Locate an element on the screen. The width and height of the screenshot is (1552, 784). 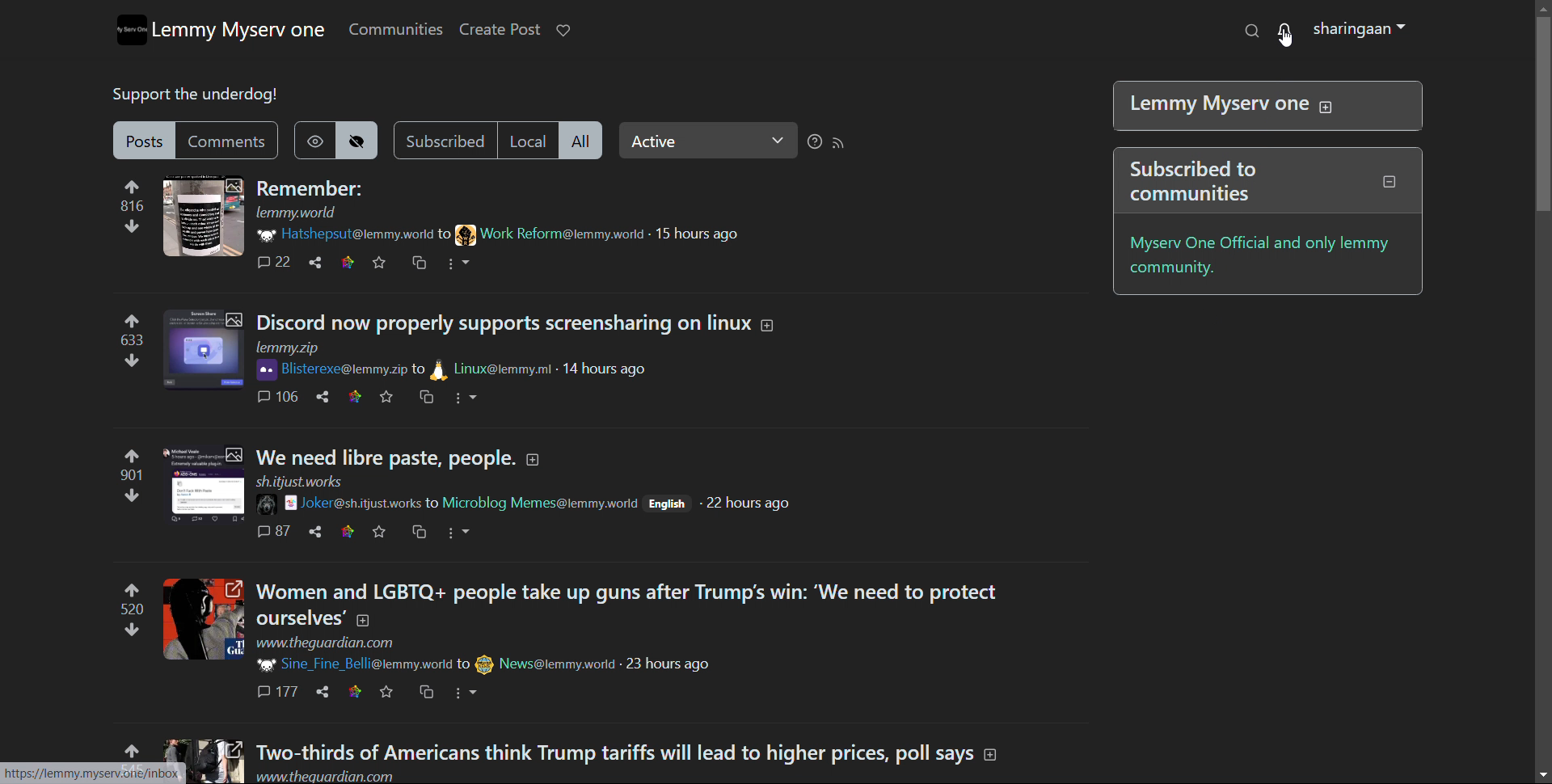
sharingaan(profile) is located at coordinates (1360, 30).